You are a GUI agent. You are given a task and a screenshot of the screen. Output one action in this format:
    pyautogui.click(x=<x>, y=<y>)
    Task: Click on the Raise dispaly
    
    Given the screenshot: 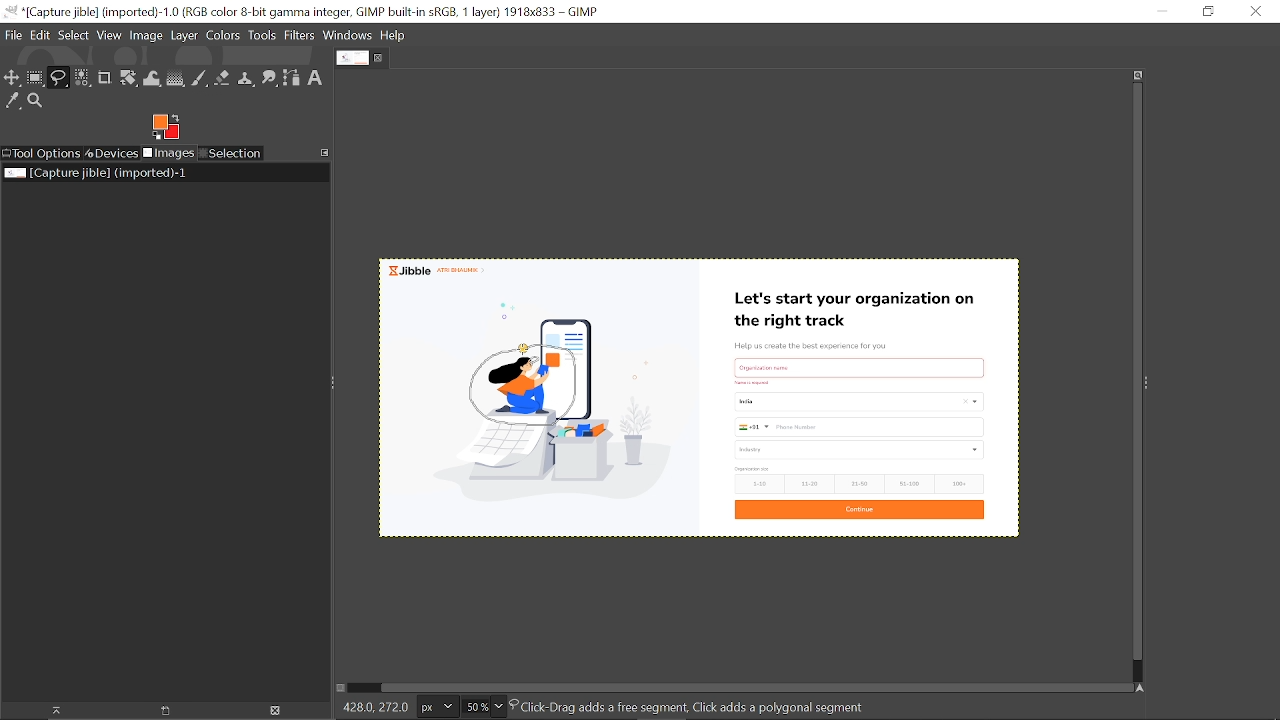 What is the action you would take?
    pyautogui.click(x=50, y=711)
    